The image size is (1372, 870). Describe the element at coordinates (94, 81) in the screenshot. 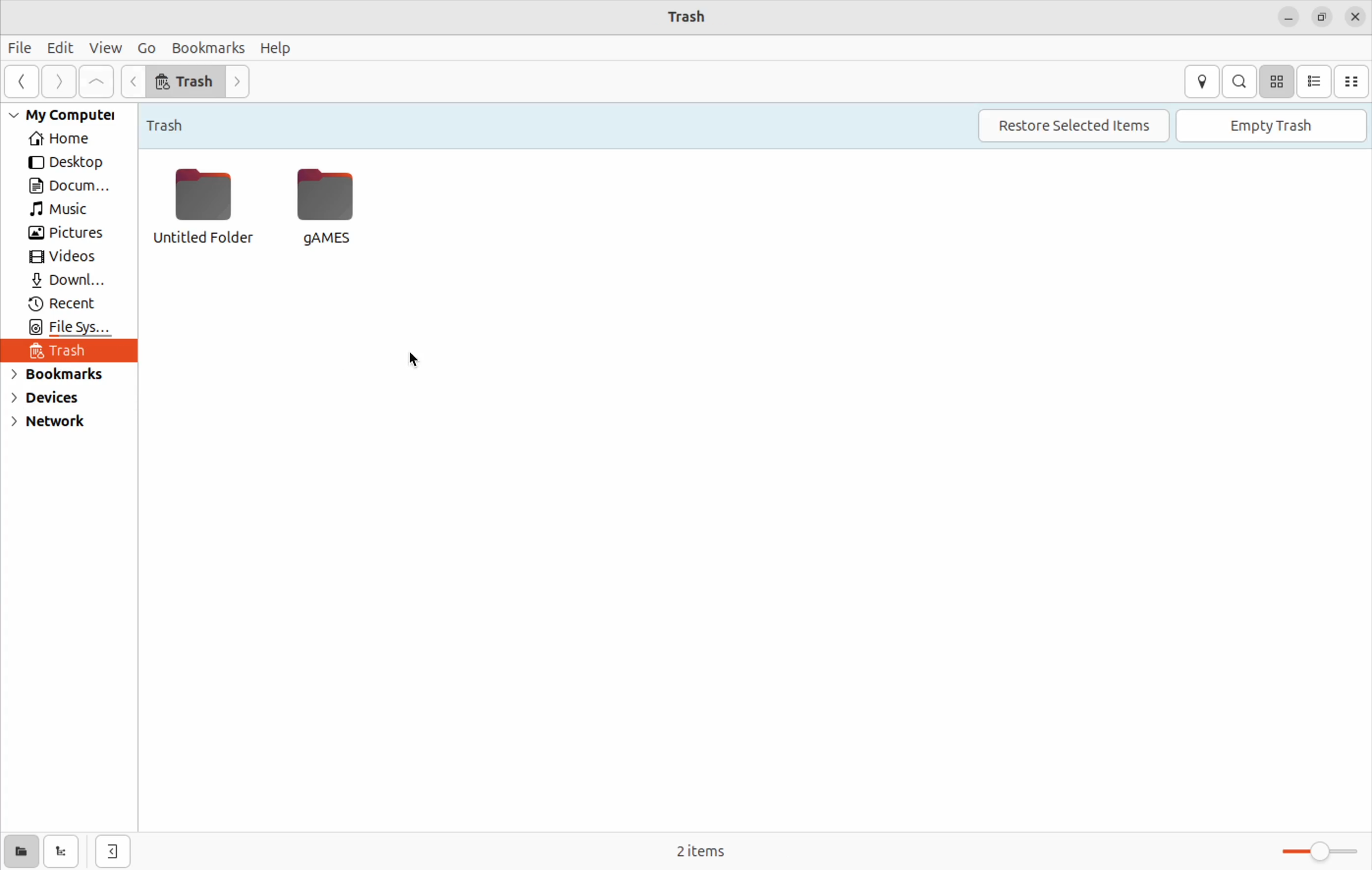

I see `Go first file` at that location.